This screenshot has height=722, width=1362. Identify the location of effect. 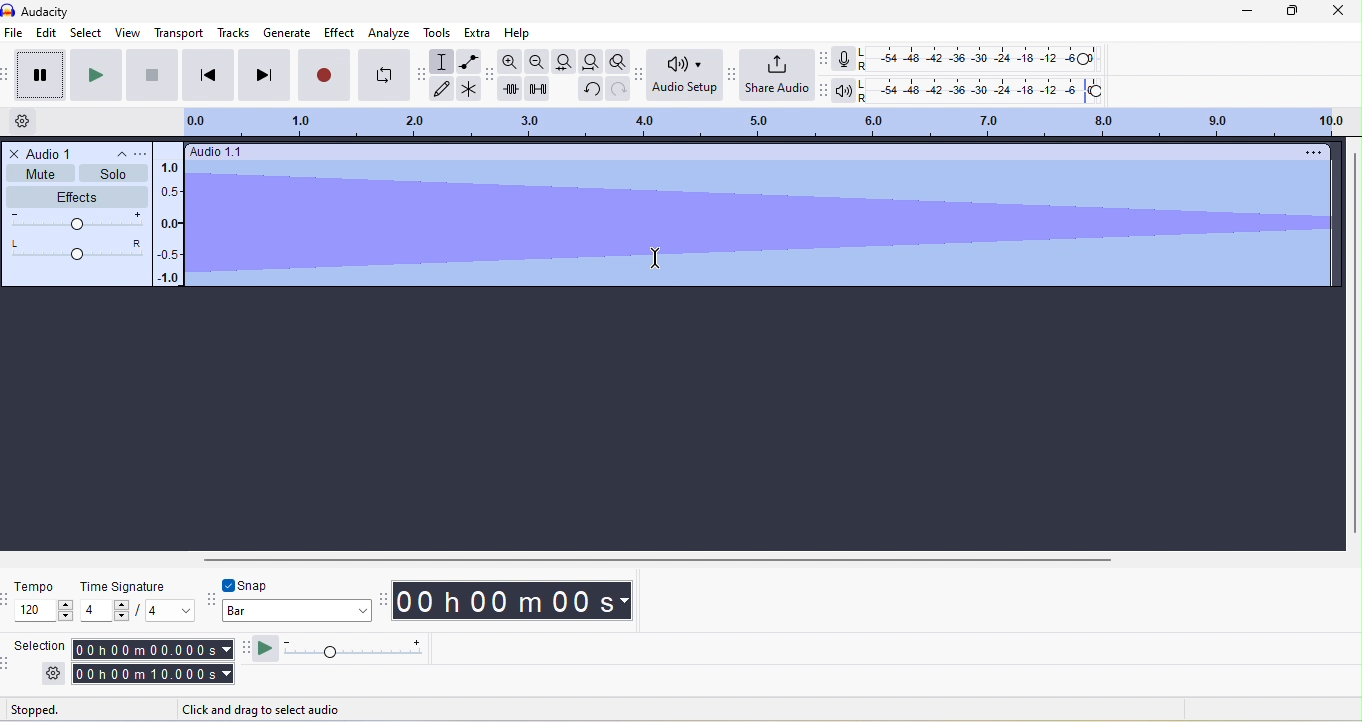
(342, 32).